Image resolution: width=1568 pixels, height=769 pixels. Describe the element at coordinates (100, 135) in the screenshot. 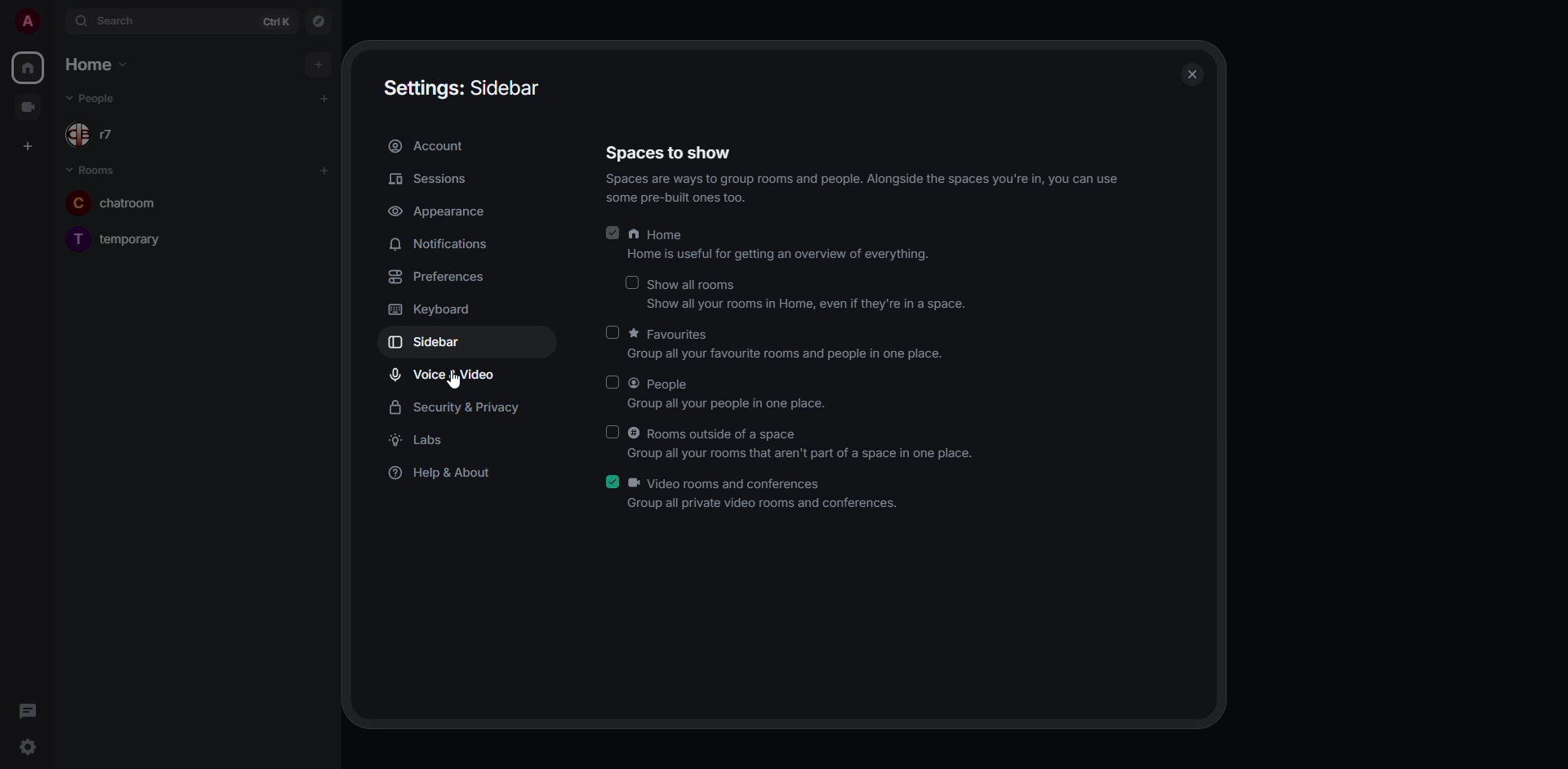

I see `r7` at that location.